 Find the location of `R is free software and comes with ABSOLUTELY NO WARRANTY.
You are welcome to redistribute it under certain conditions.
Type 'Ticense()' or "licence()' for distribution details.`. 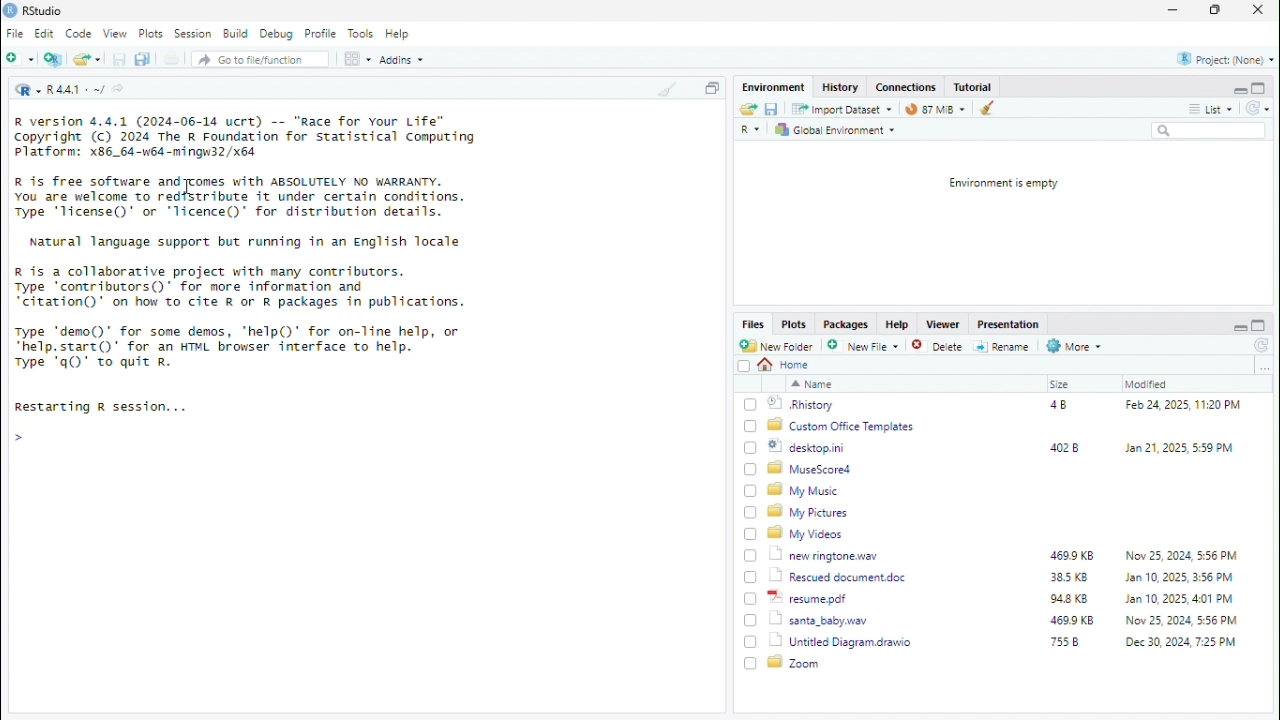

R is free software and comes with ABSOLUTELY NO WARRANTY.
You are welcome to redistribute it under certain conditions.
Type 'Ticense()' or "licence()' for distribution details. is located at coordinates (242, 199).